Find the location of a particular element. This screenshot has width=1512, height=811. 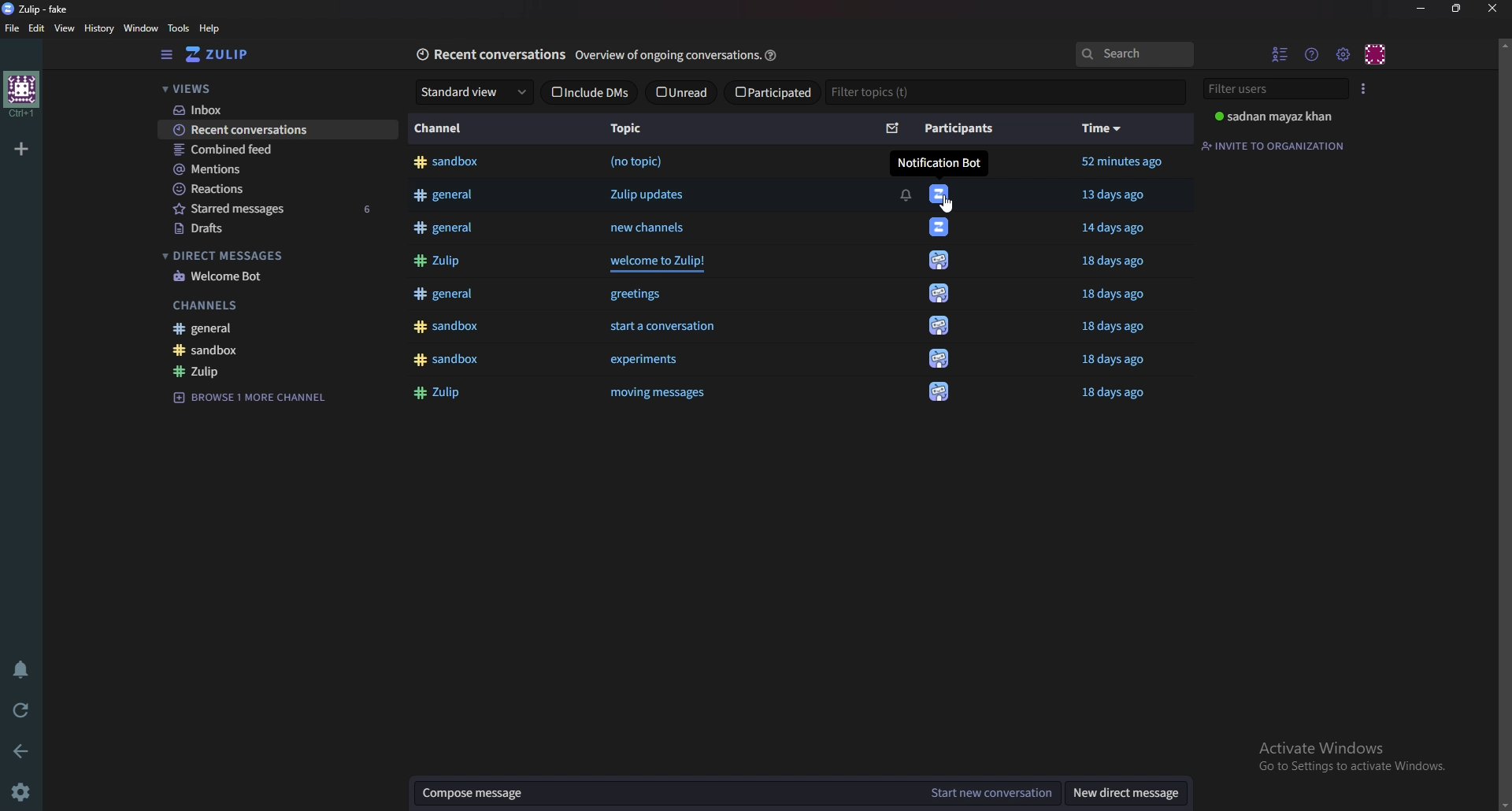

Mentions is located at coordinates (269, 168).